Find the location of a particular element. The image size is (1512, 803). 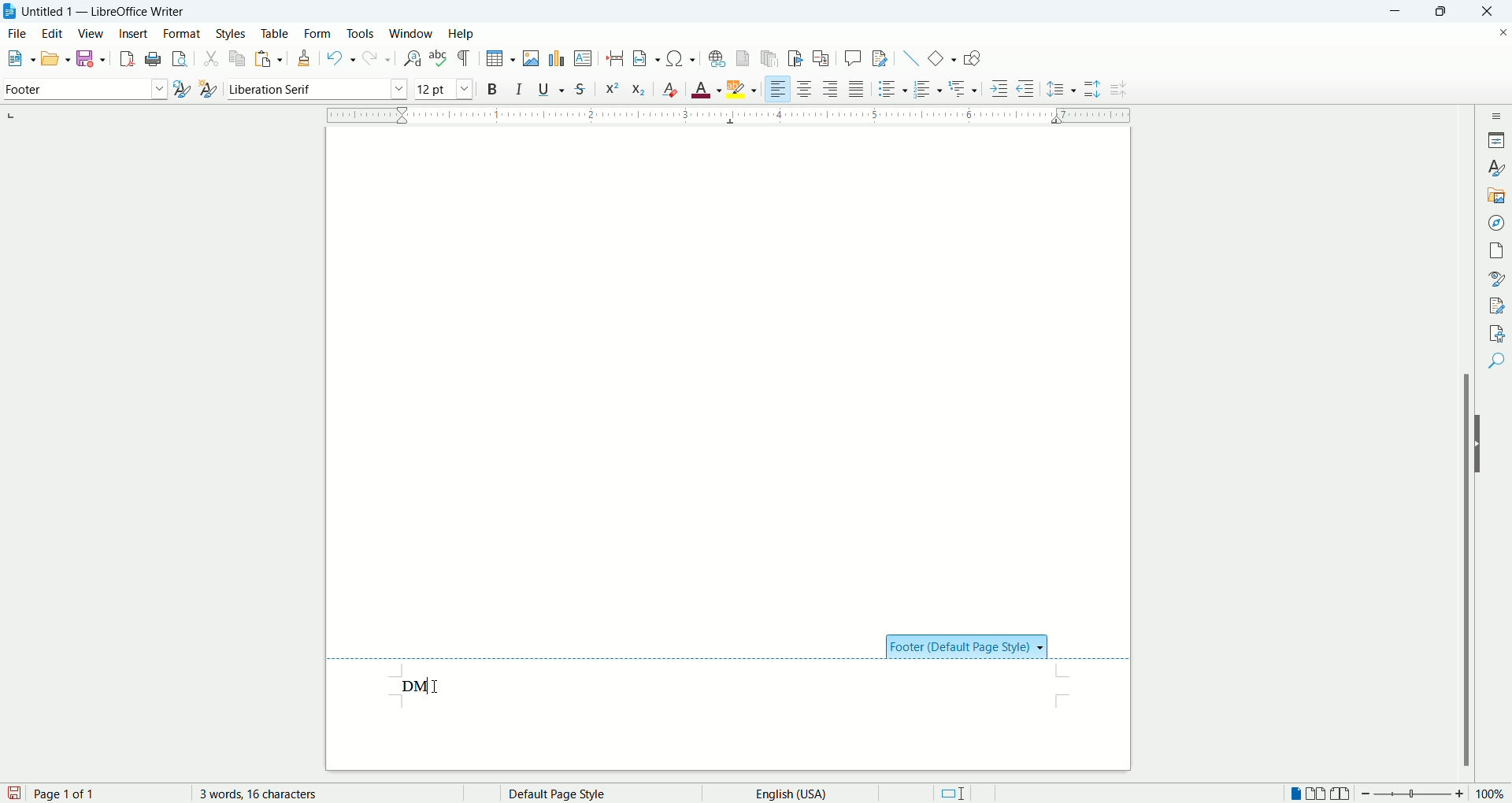

new style is located at coordinates (207, 89).